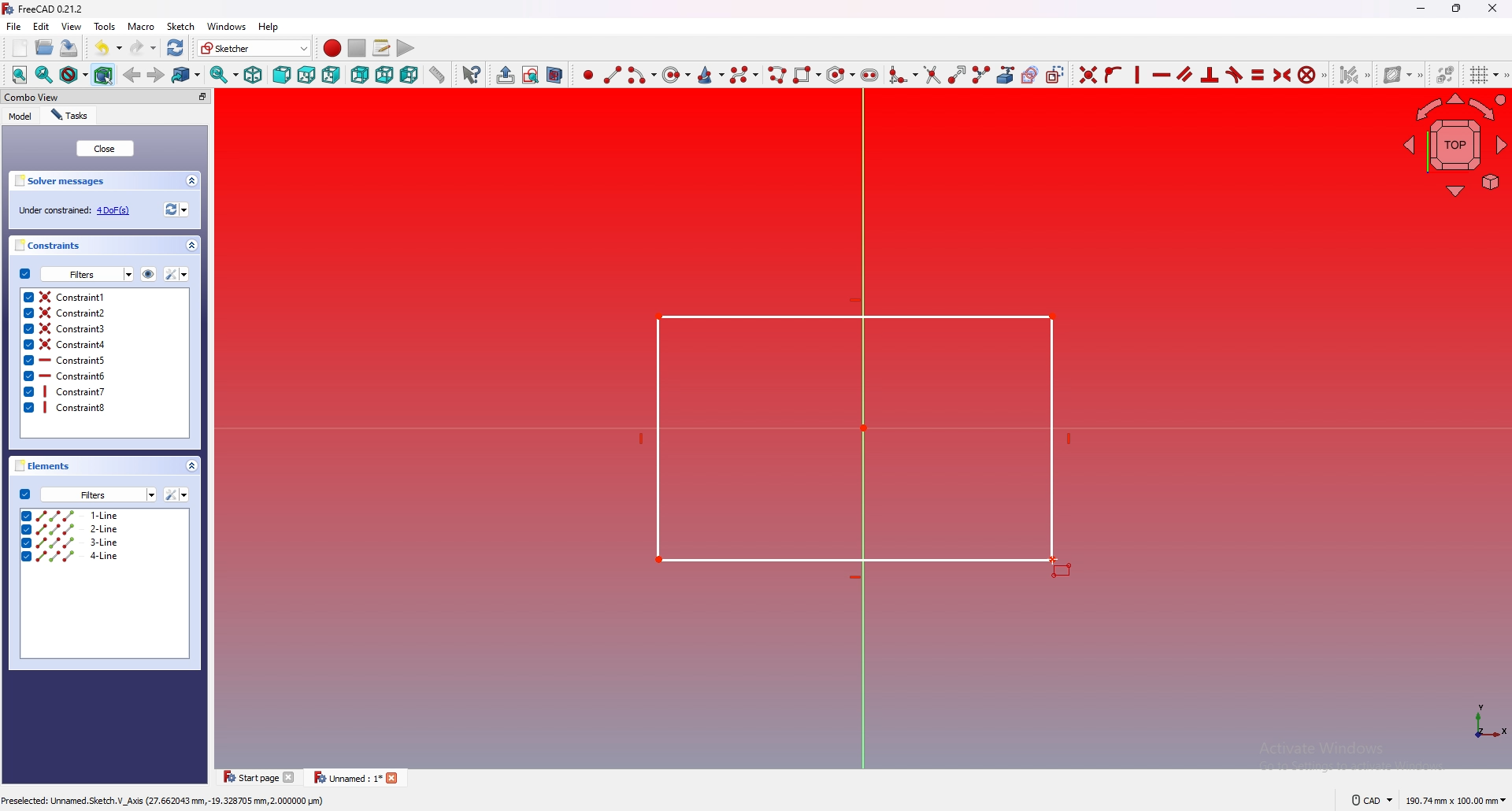 This screenshot has height=811, width=1512. What do you see at coordinates (331, 75) in the screenshot?
I see `right` at bounding box center [331, 75].